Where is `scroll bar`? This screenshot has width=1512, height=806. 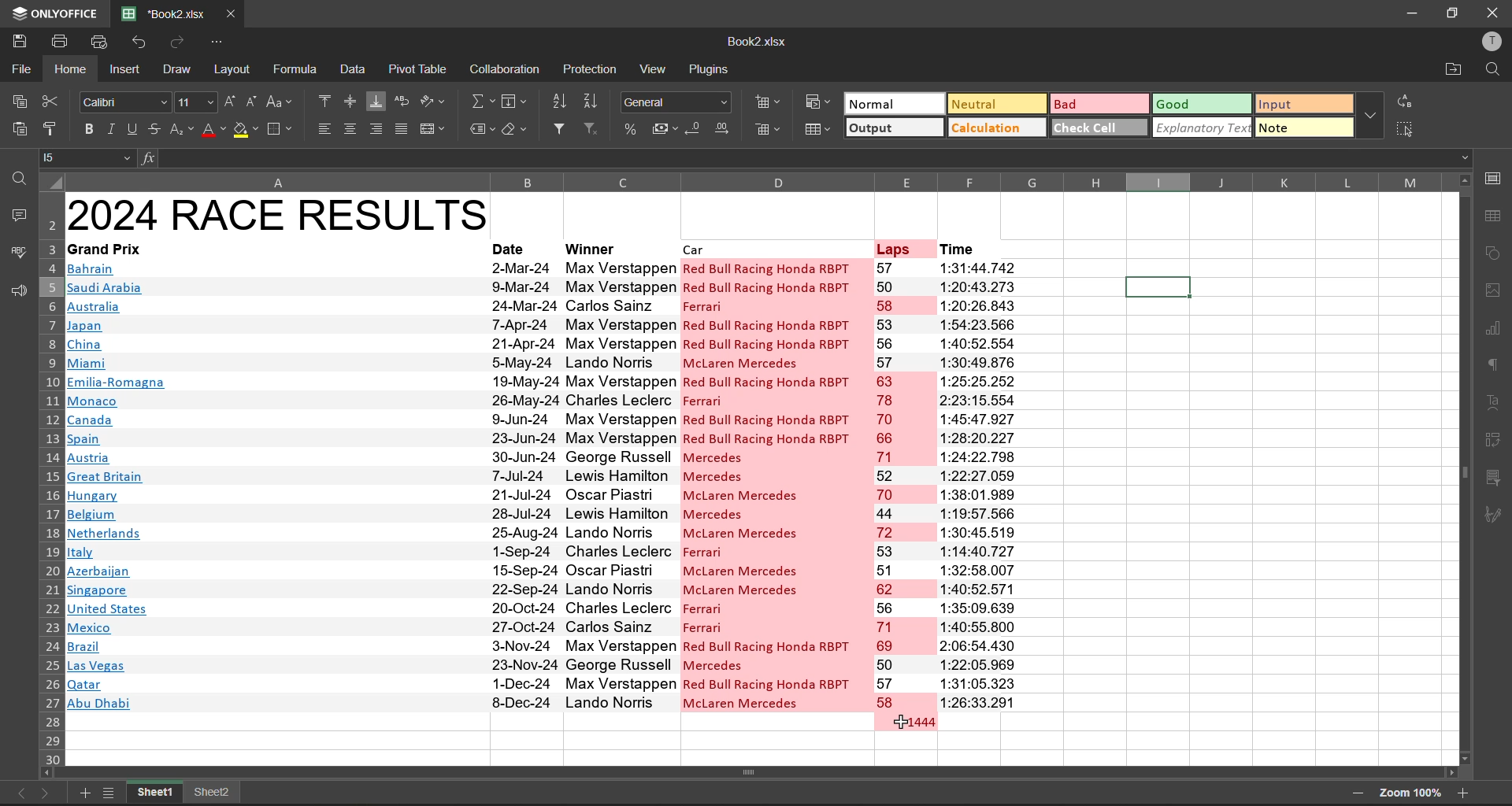 scroll bar is located at coordinates (1467, 468).